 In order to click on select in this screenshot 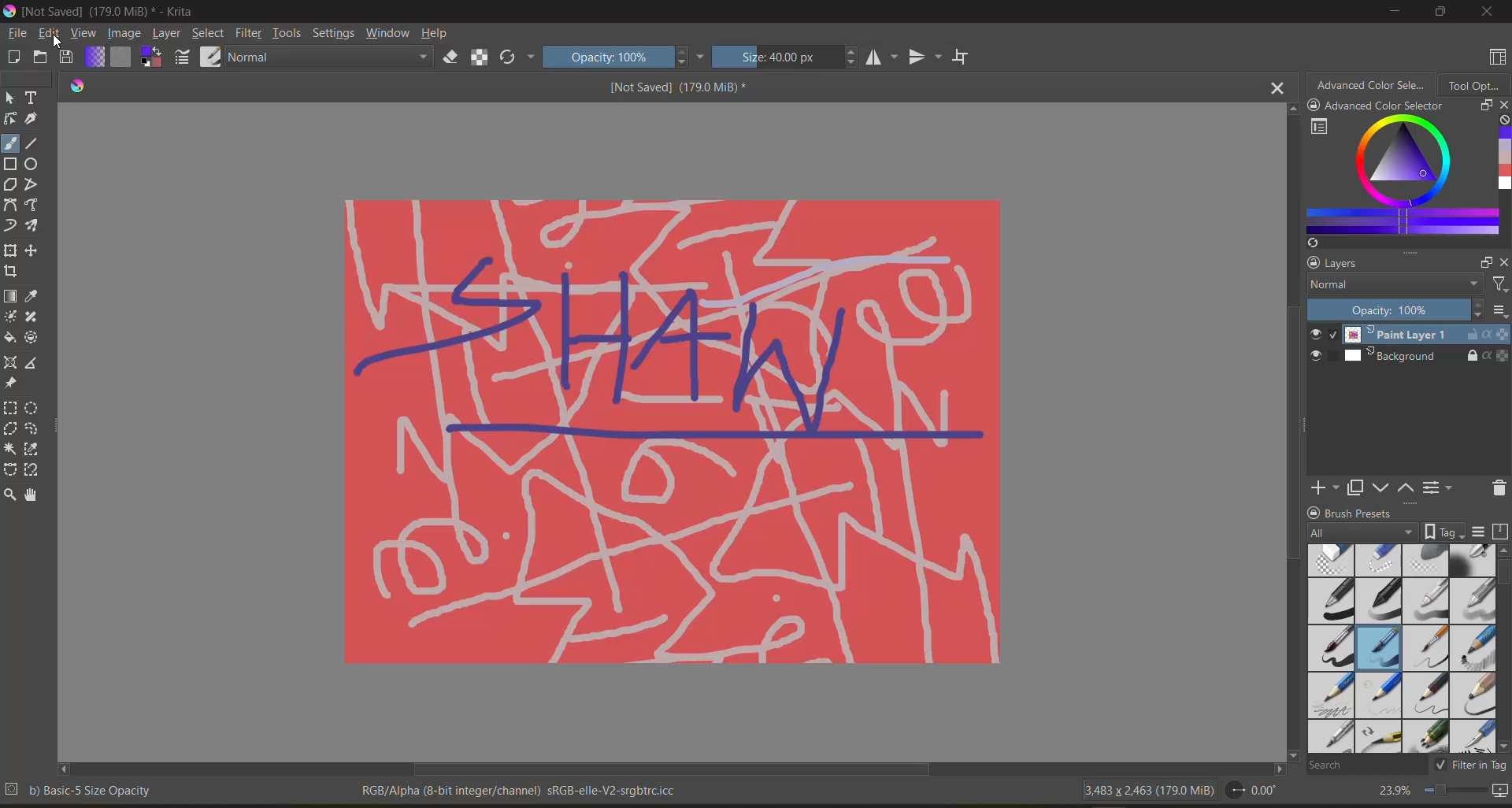, I will do `click(208, 33)`.